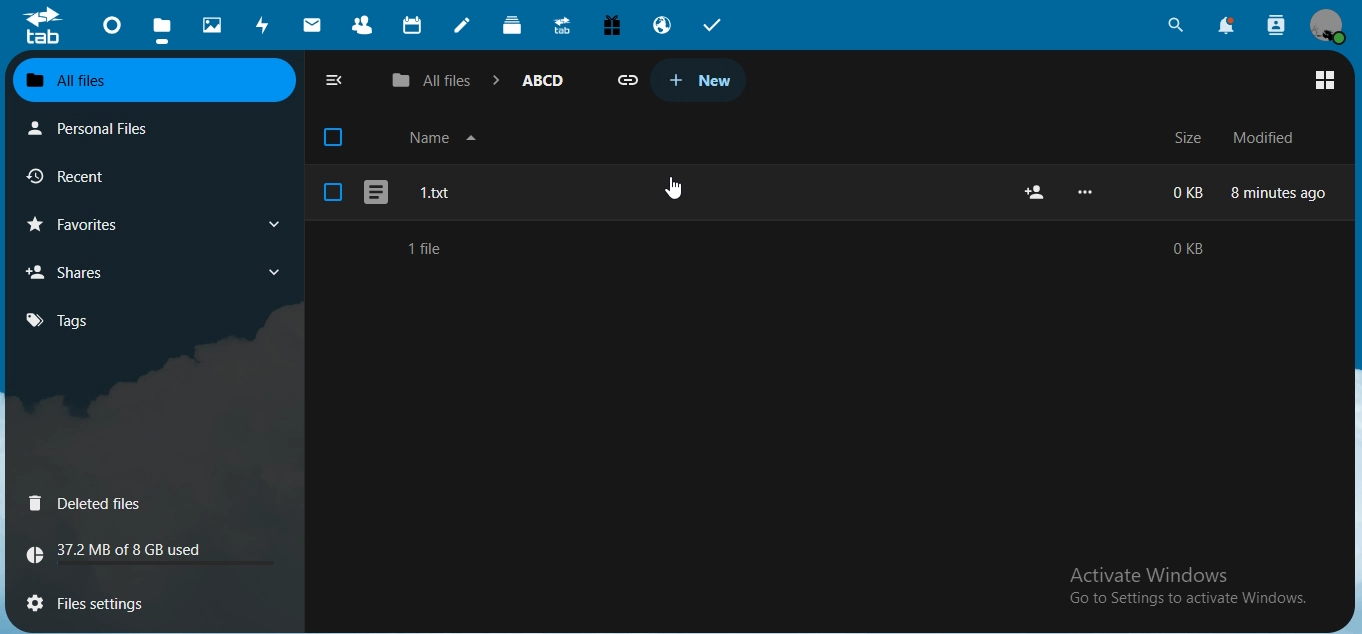  Describe the element at coordinates (1176, 24) in the screenshot. I see `search` at that location.